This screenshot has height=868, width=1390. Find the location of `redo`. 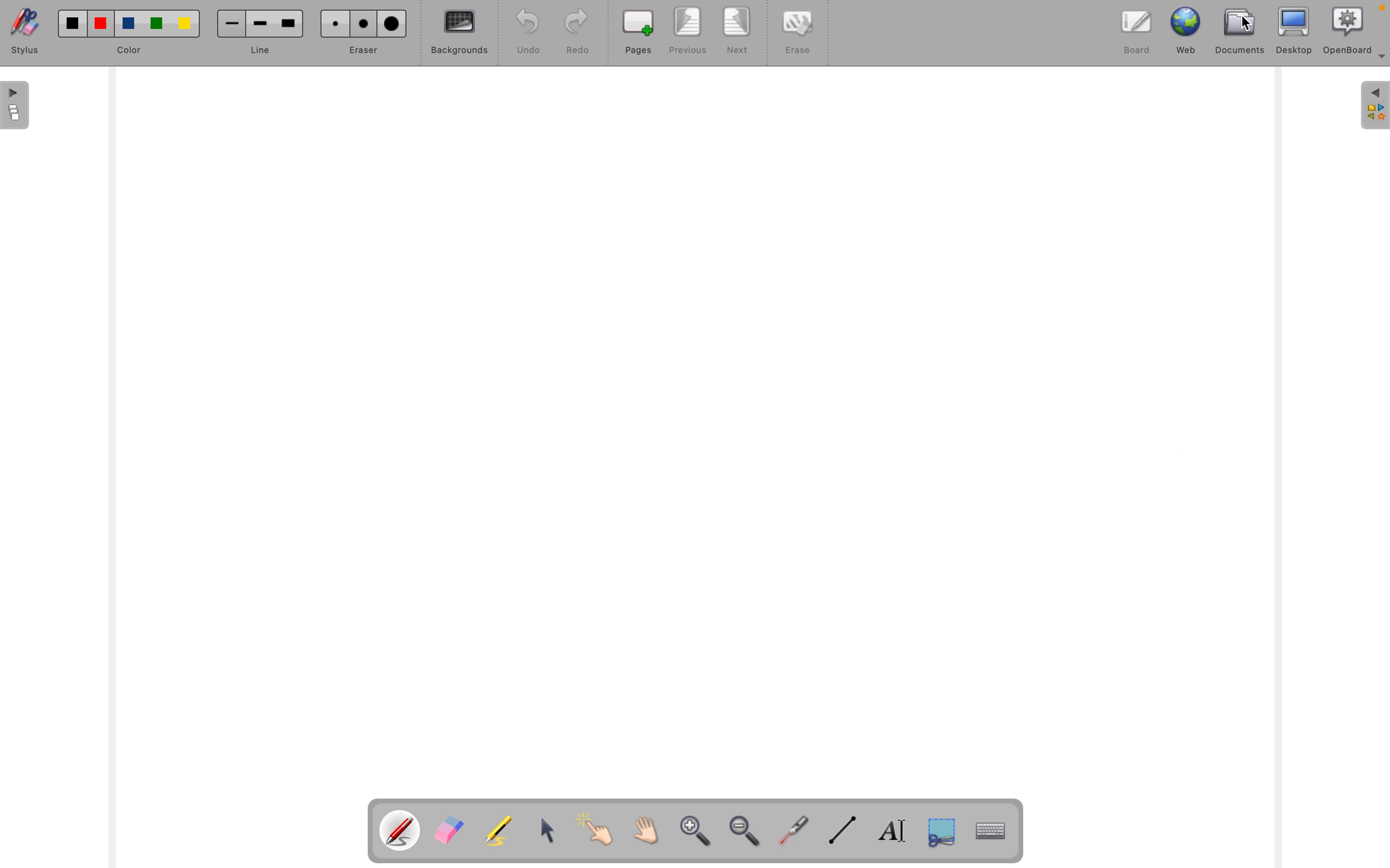

redo is located at coordinates (577, 33).